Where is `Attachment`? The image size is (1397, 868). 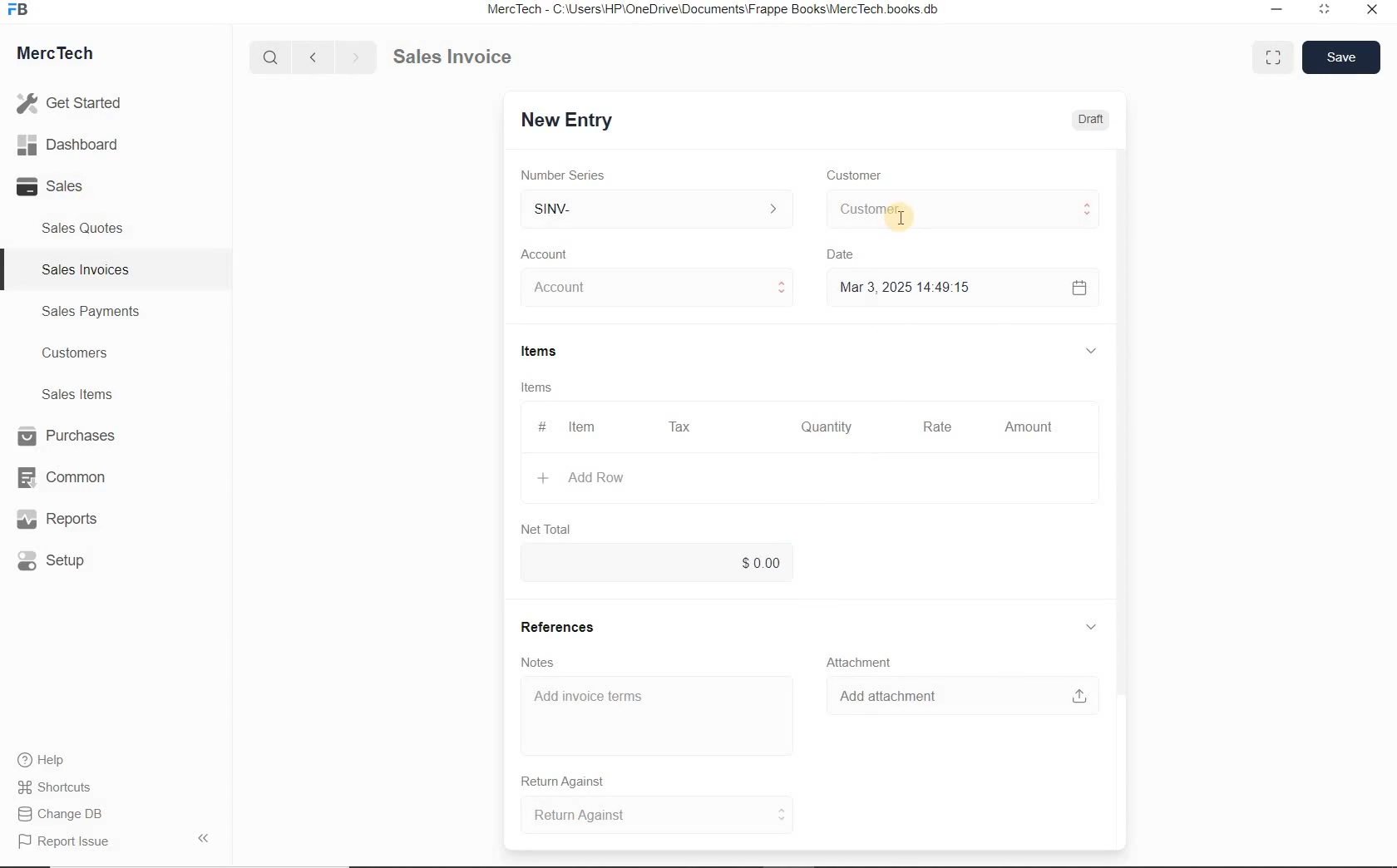
Attachment is located at coordinates (861, 663).